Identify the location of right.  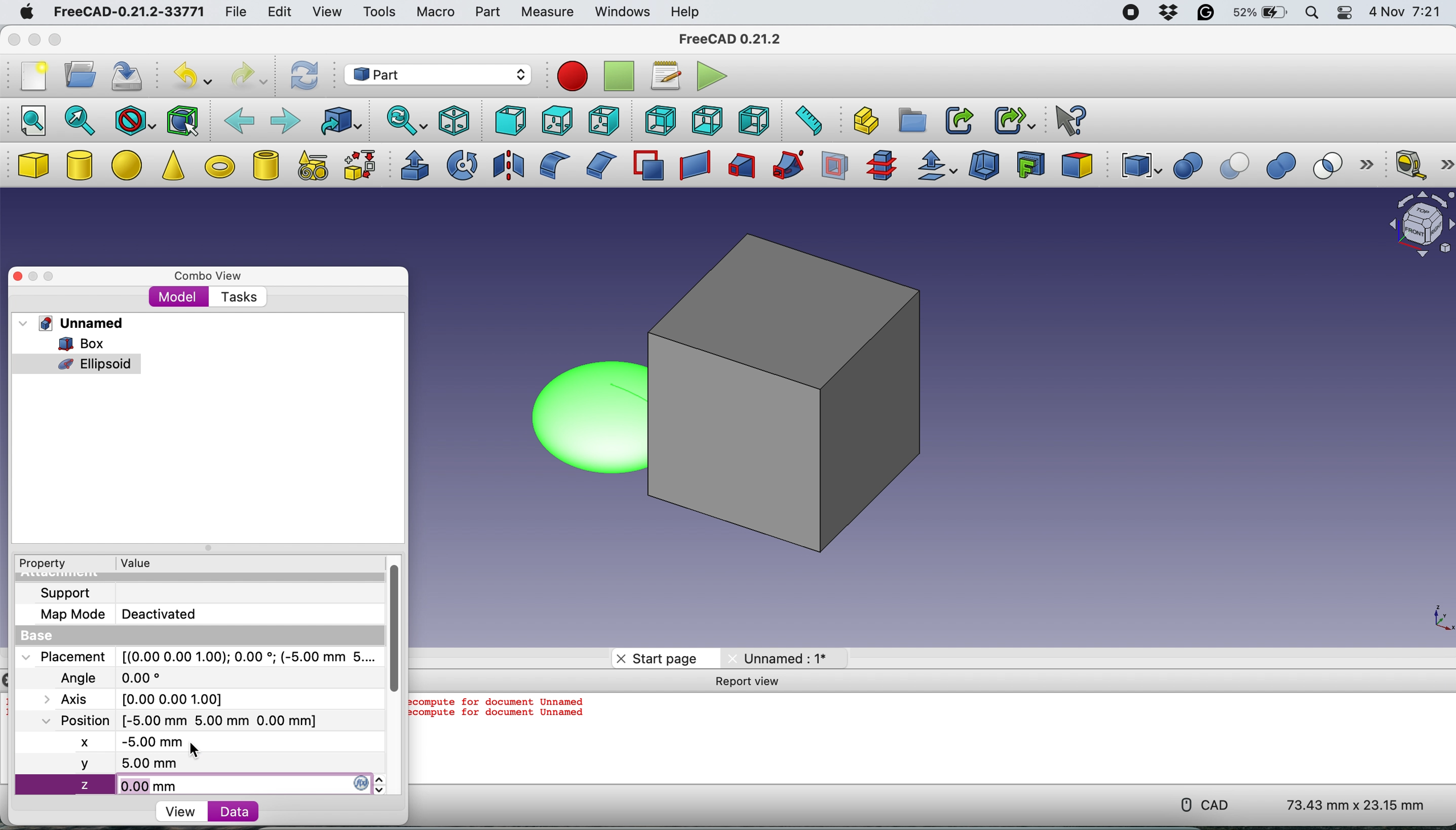
(602, 122).